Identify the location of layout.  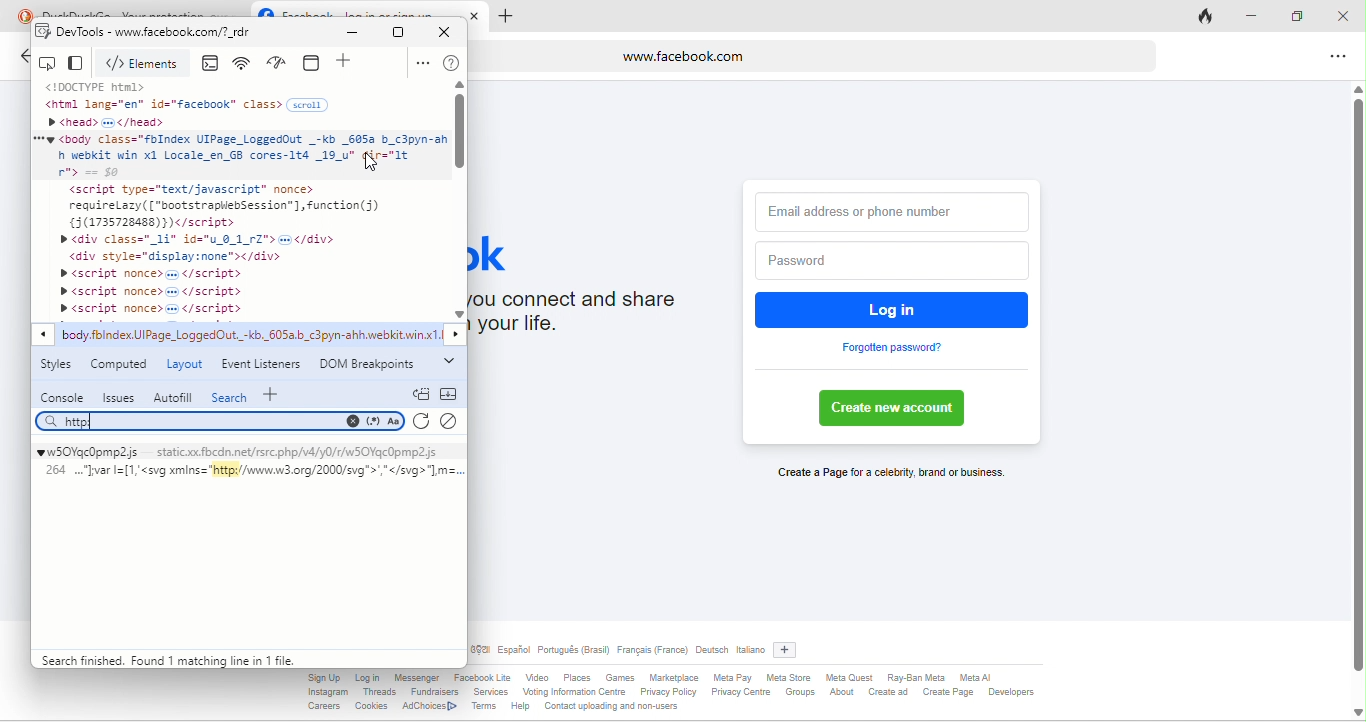
(185, 363).